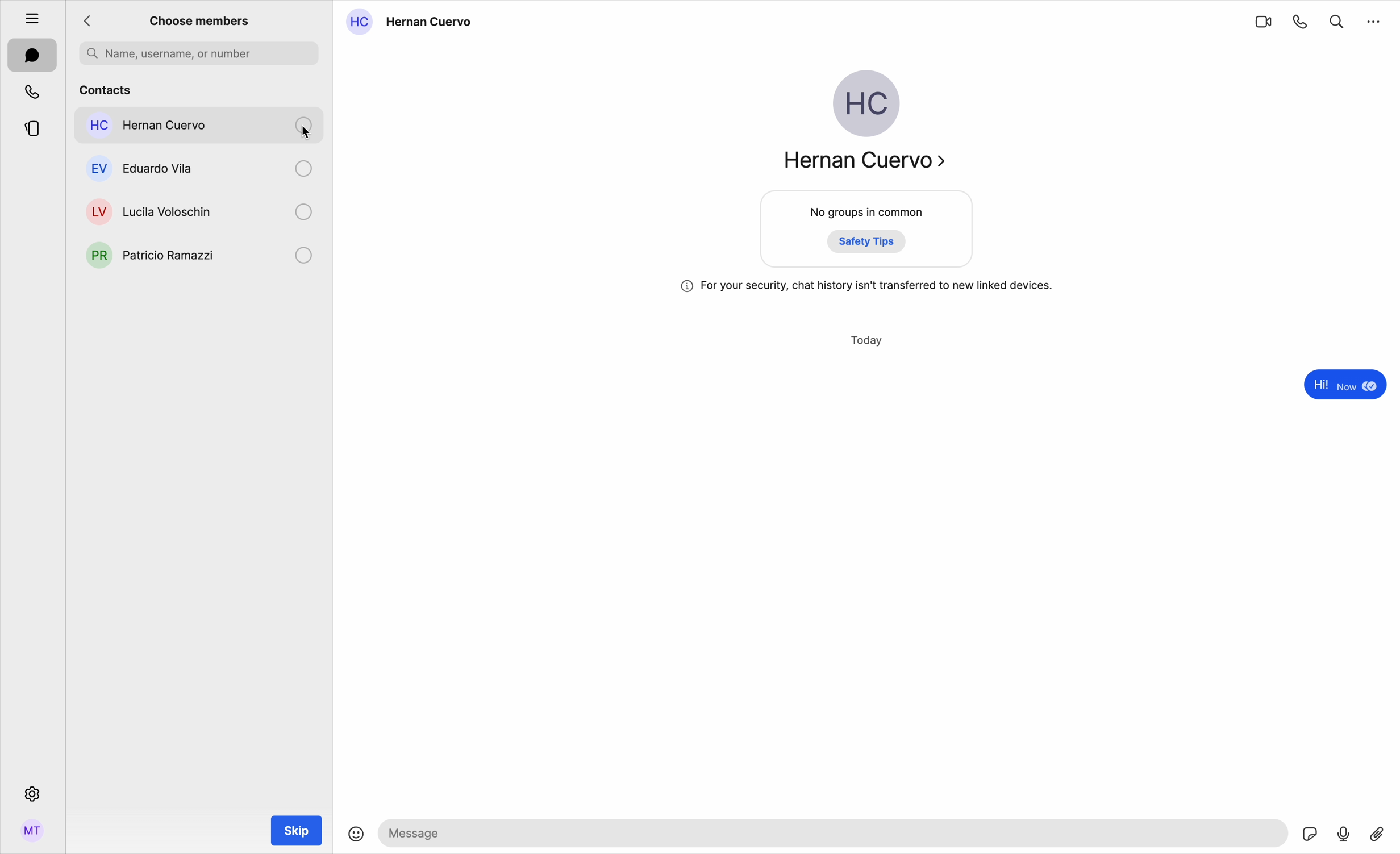 Image resolution: width=1400 pixels, height=854 pixels. I want to click on attach file, so click(1379, 832).